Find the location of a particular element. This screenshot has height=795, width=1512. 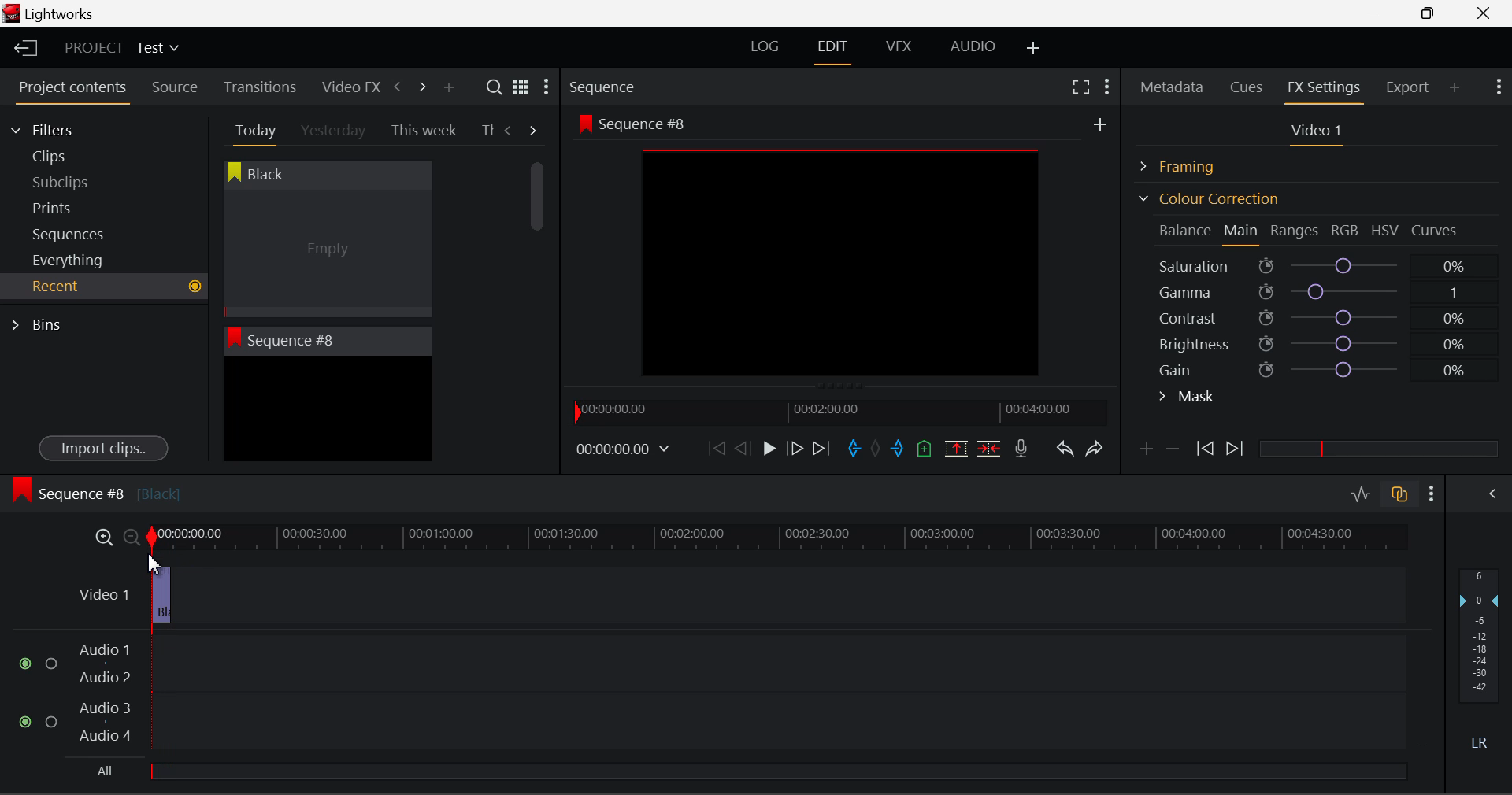

Show Settings is located at coordinates (545, 91).